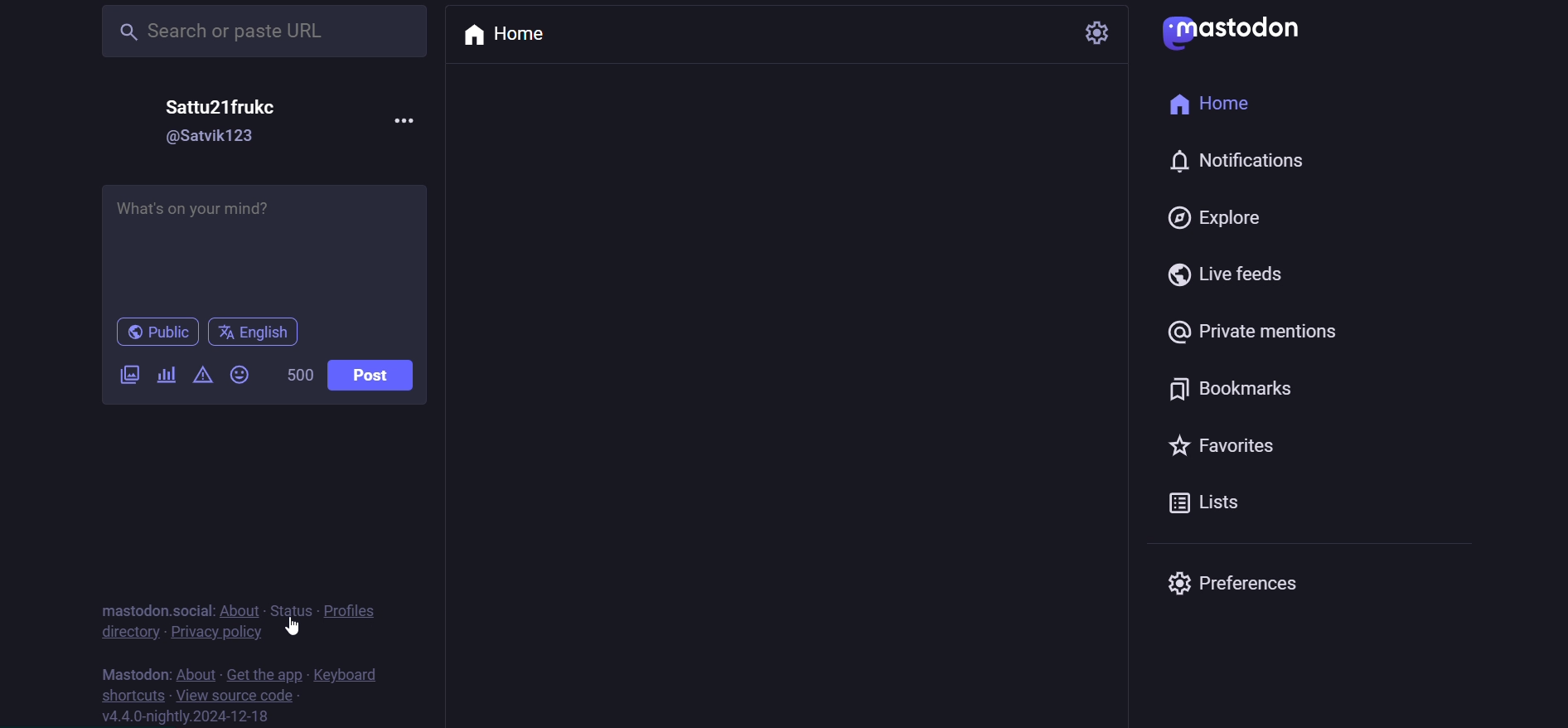 Image resolution: width=1568 pixels, height=728 pixels. Describe the element at coordinates (157, 332) in the screenshot. I see `public` at that location.